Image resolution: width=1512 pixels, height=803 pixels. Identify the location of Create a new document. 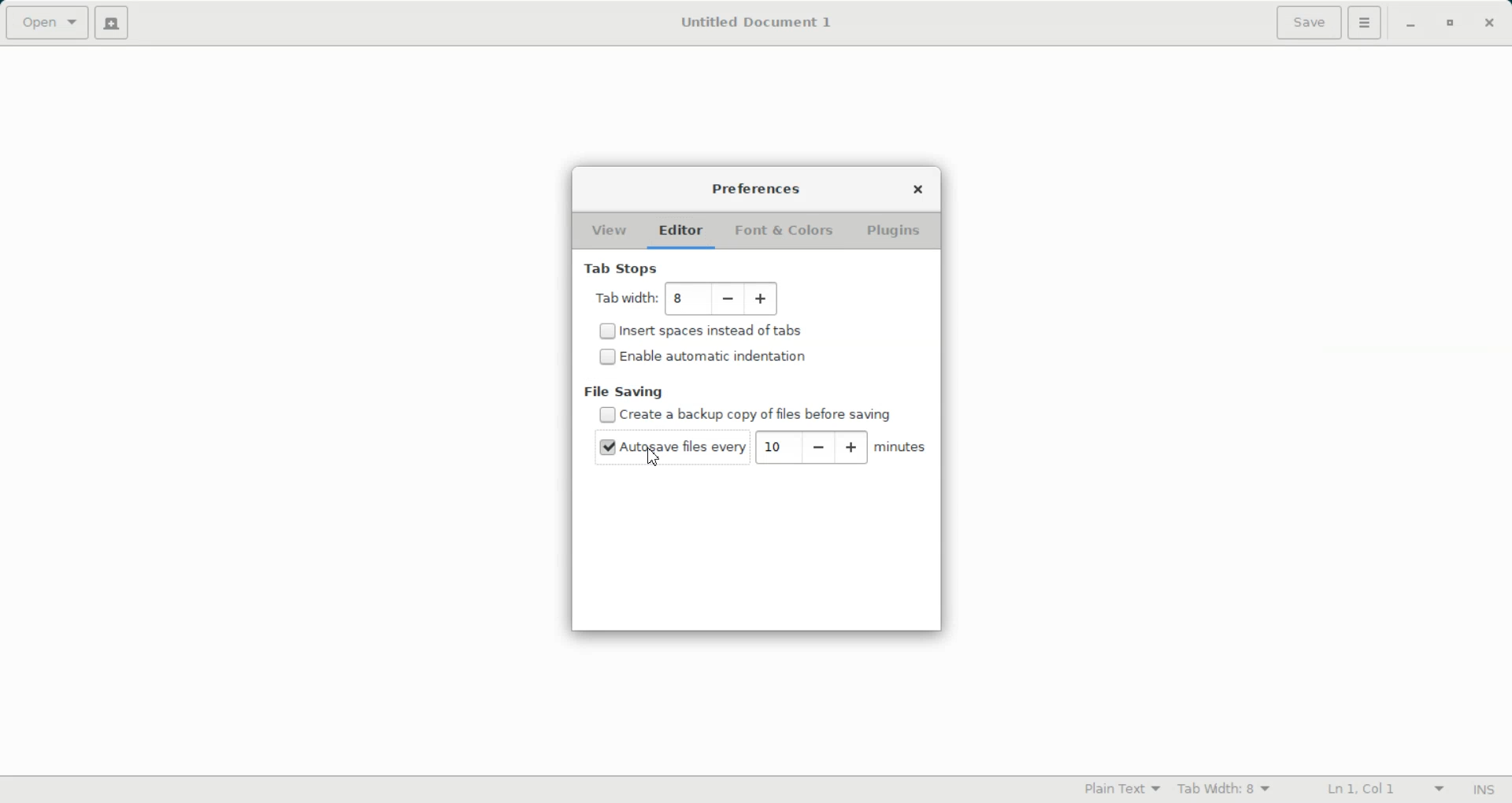
(116, 24).